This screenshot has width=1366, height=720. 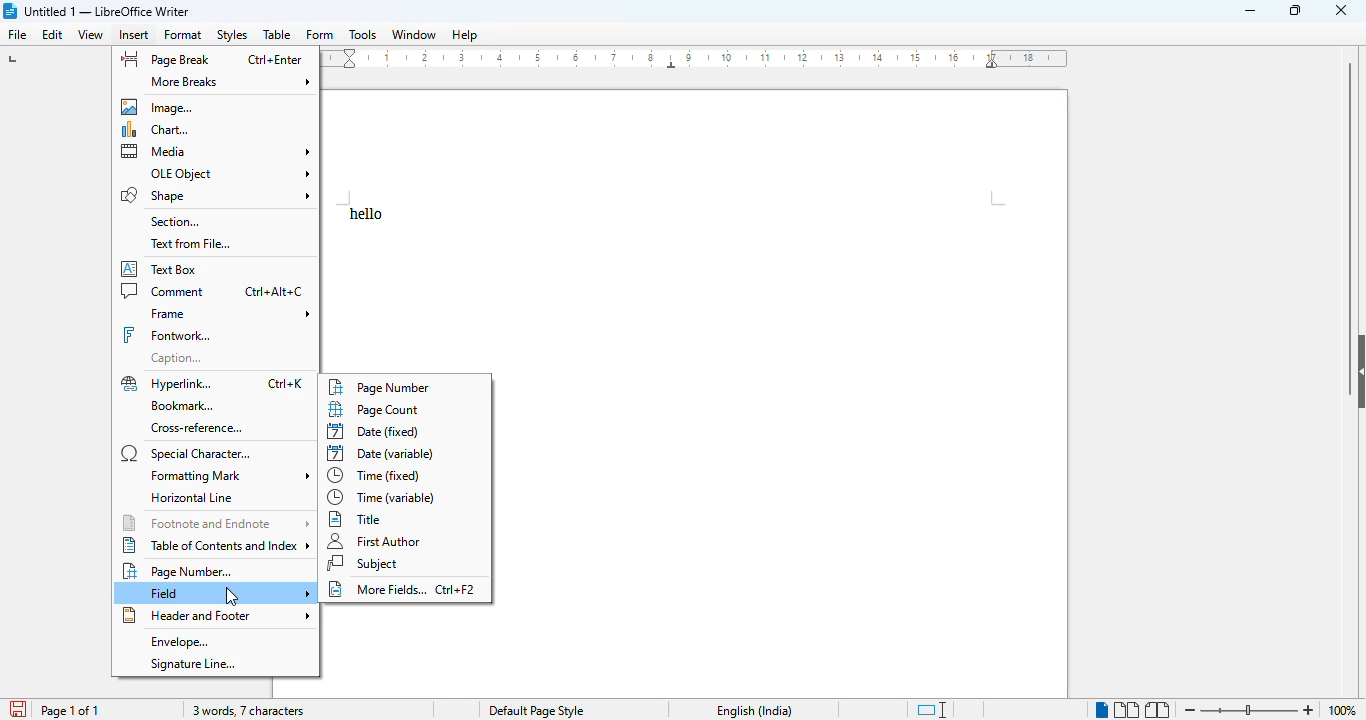 What do you see at coordinates (1158, 710) in the screenshot?
I see `book view` at bounding box center [1158, 710].